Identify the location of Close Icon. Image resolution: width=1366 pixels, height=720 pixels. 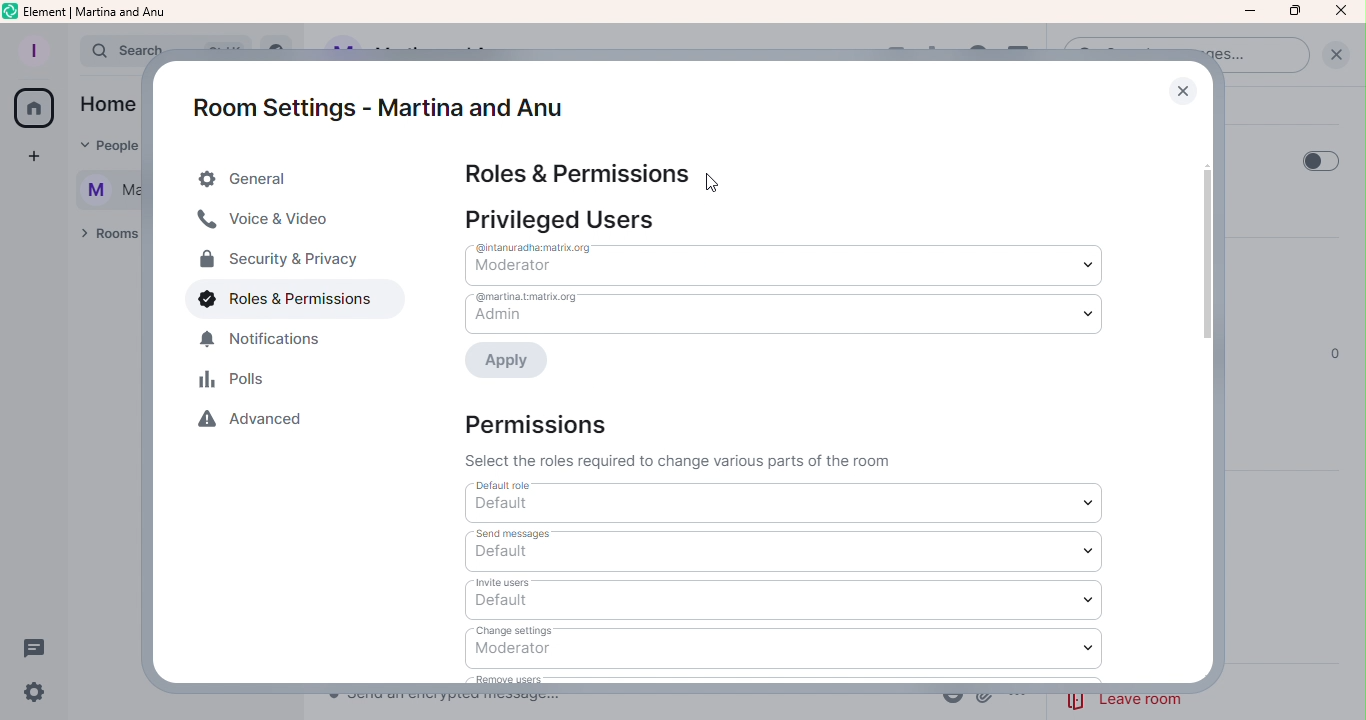
(1342, 12).